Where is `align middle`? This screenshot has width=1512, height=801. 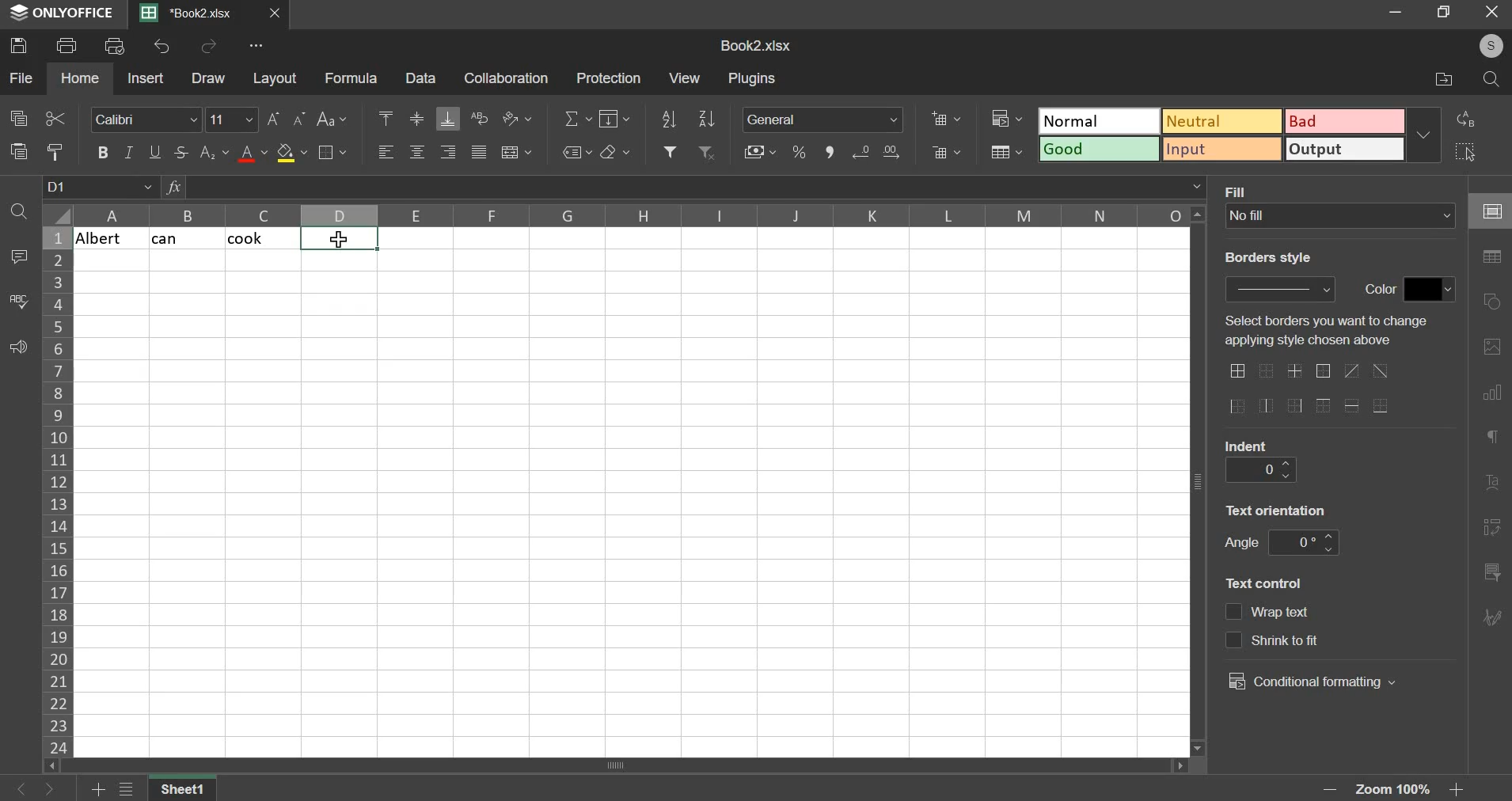
align middle is located at coordinates (419, 119).